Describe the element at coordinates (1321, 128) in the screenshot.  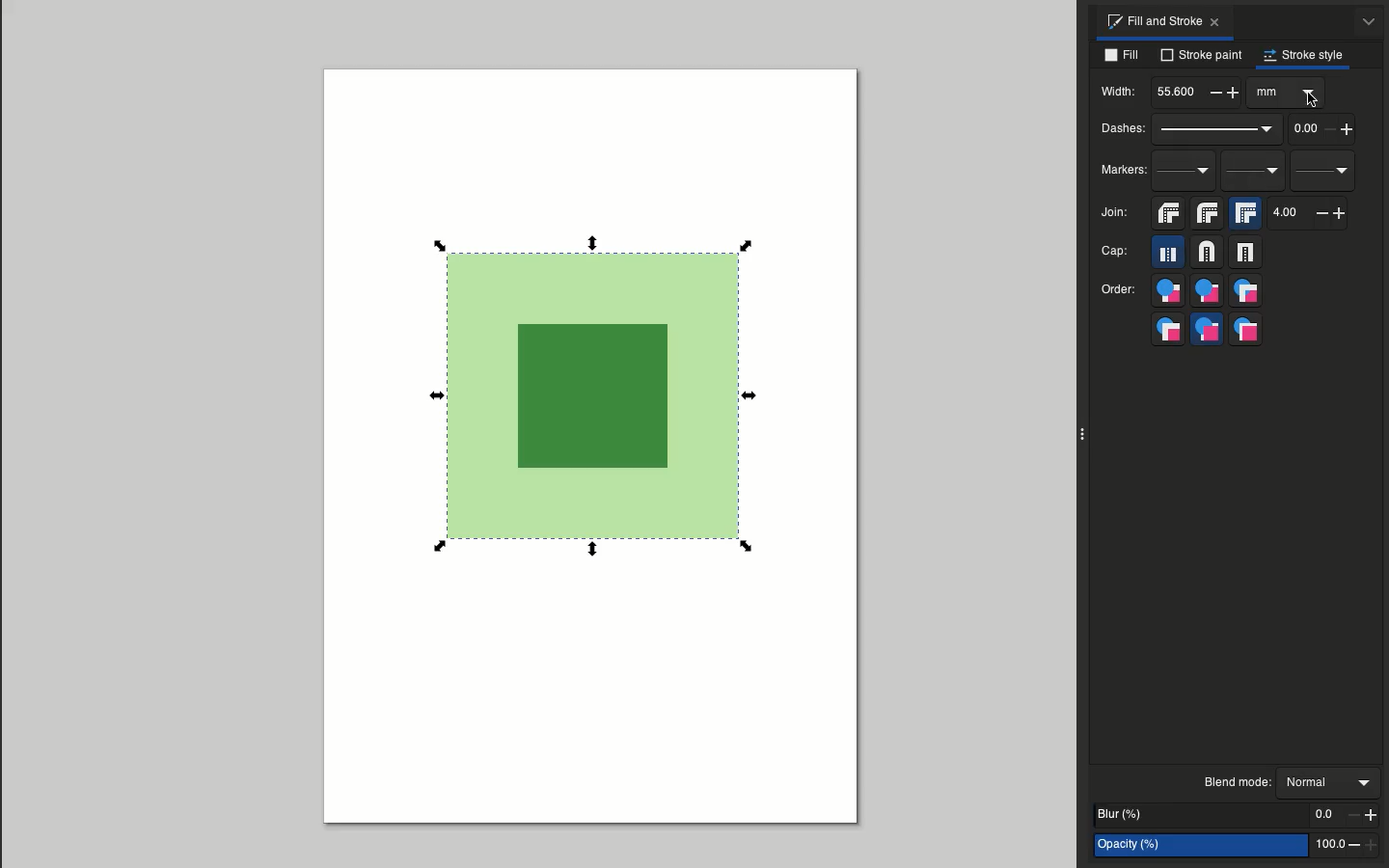
I see `0.0` at that location.